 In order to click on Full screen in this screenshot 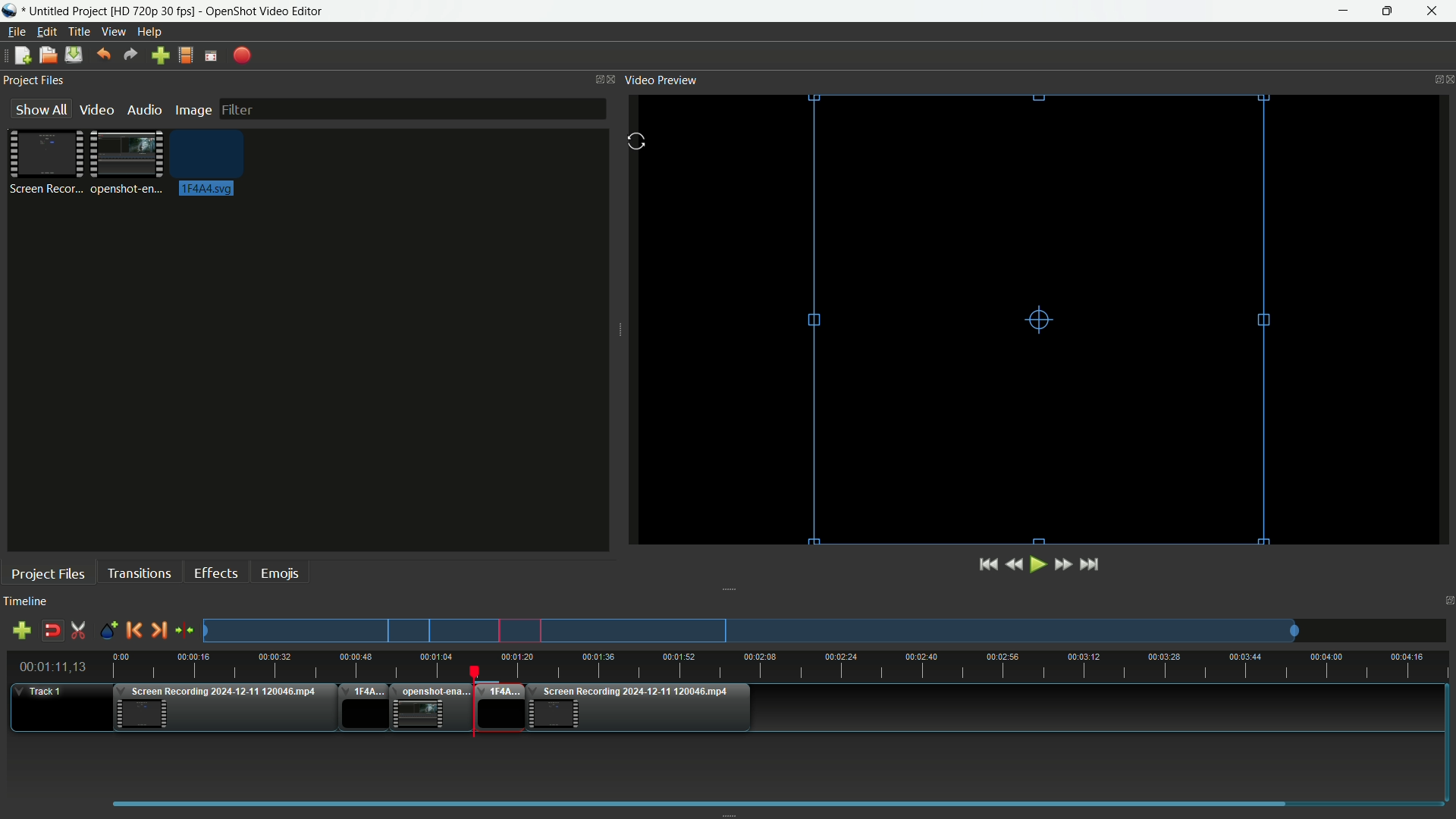, I will do `click(211, 56)`.